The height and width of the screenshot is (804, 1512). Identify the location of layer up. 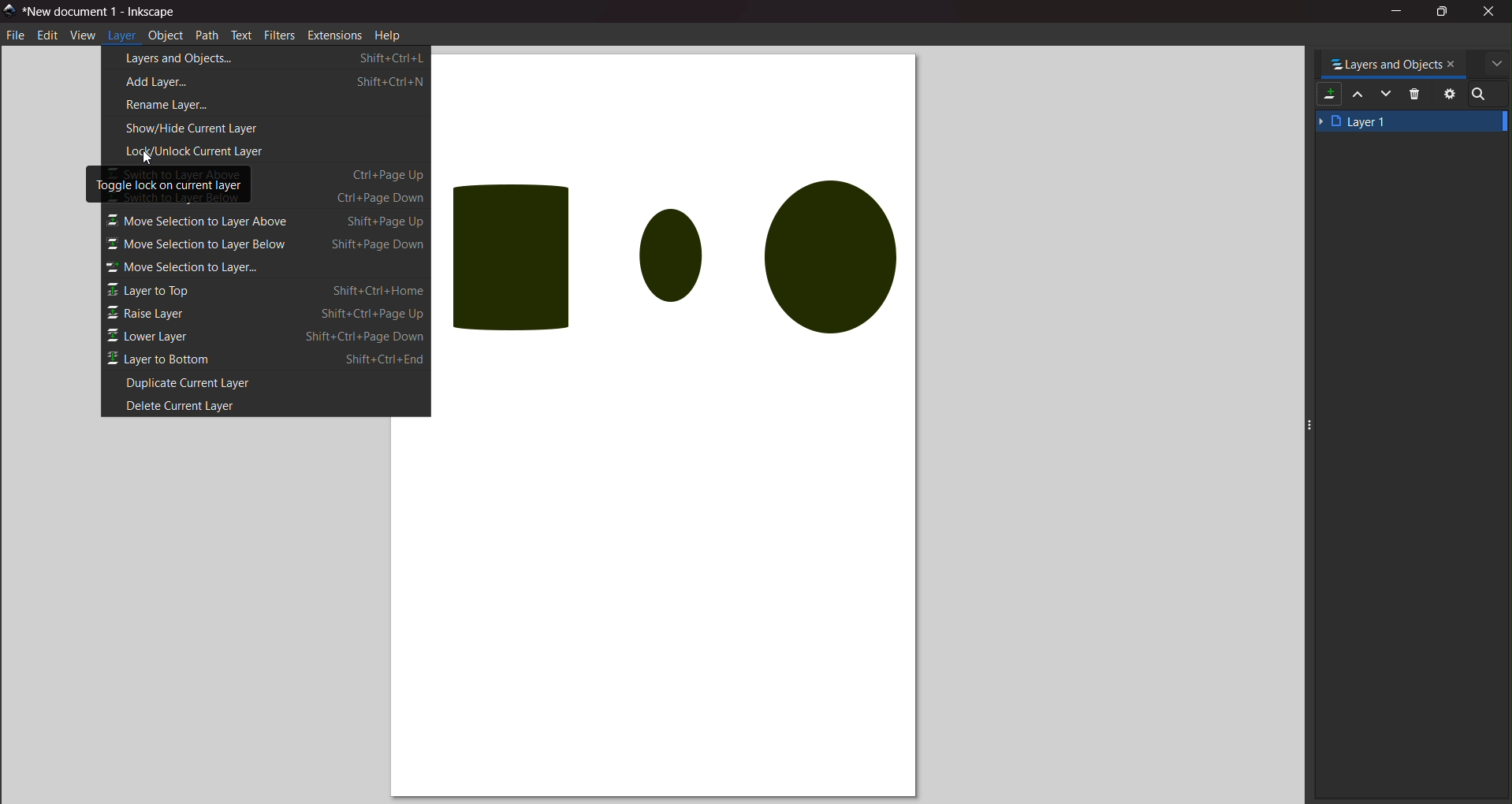
(266, 220).